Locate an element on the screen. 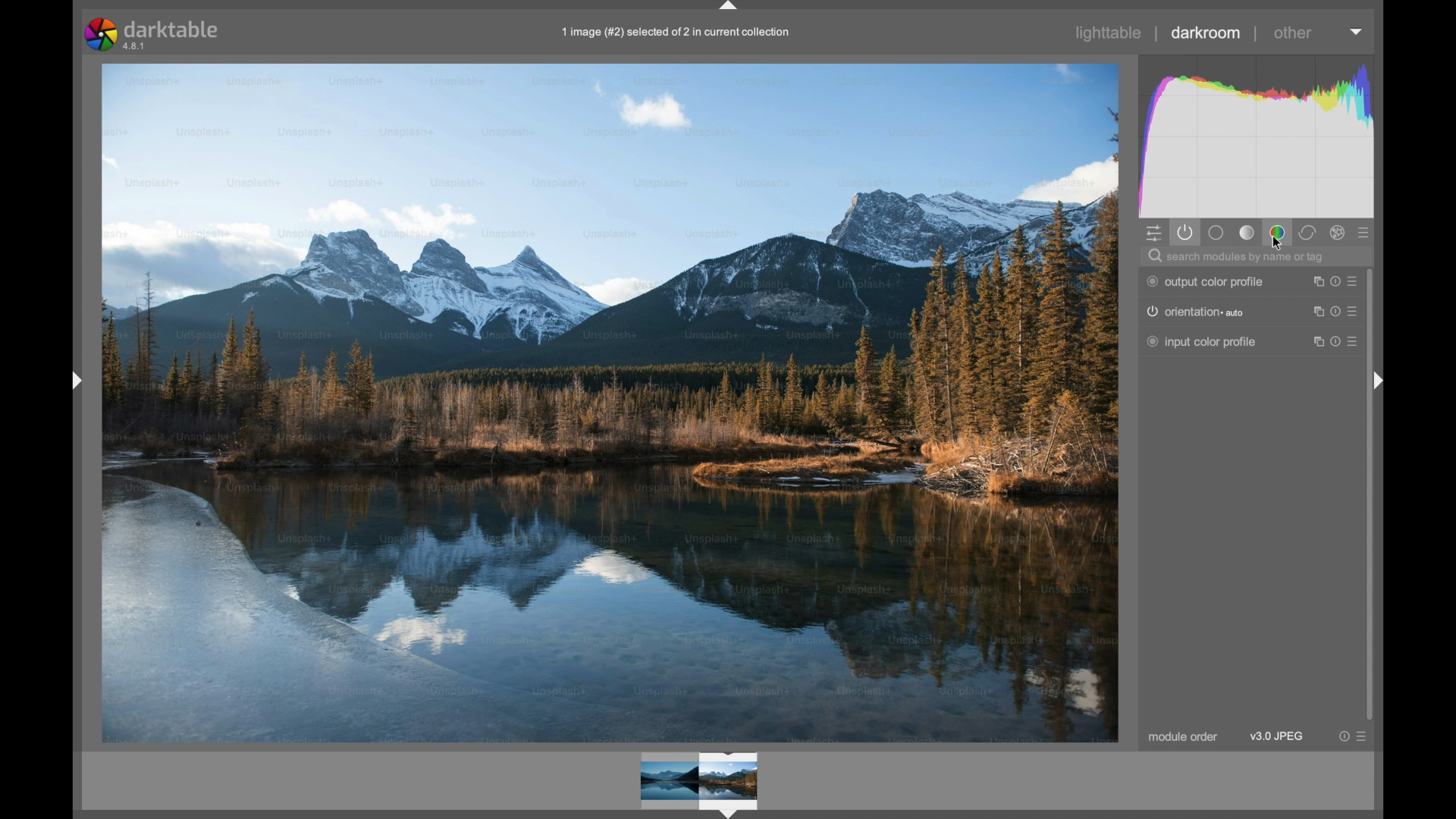 The width and height of the screenshot is (1456, 819). output color profile is located at coordinates (1206, 282).